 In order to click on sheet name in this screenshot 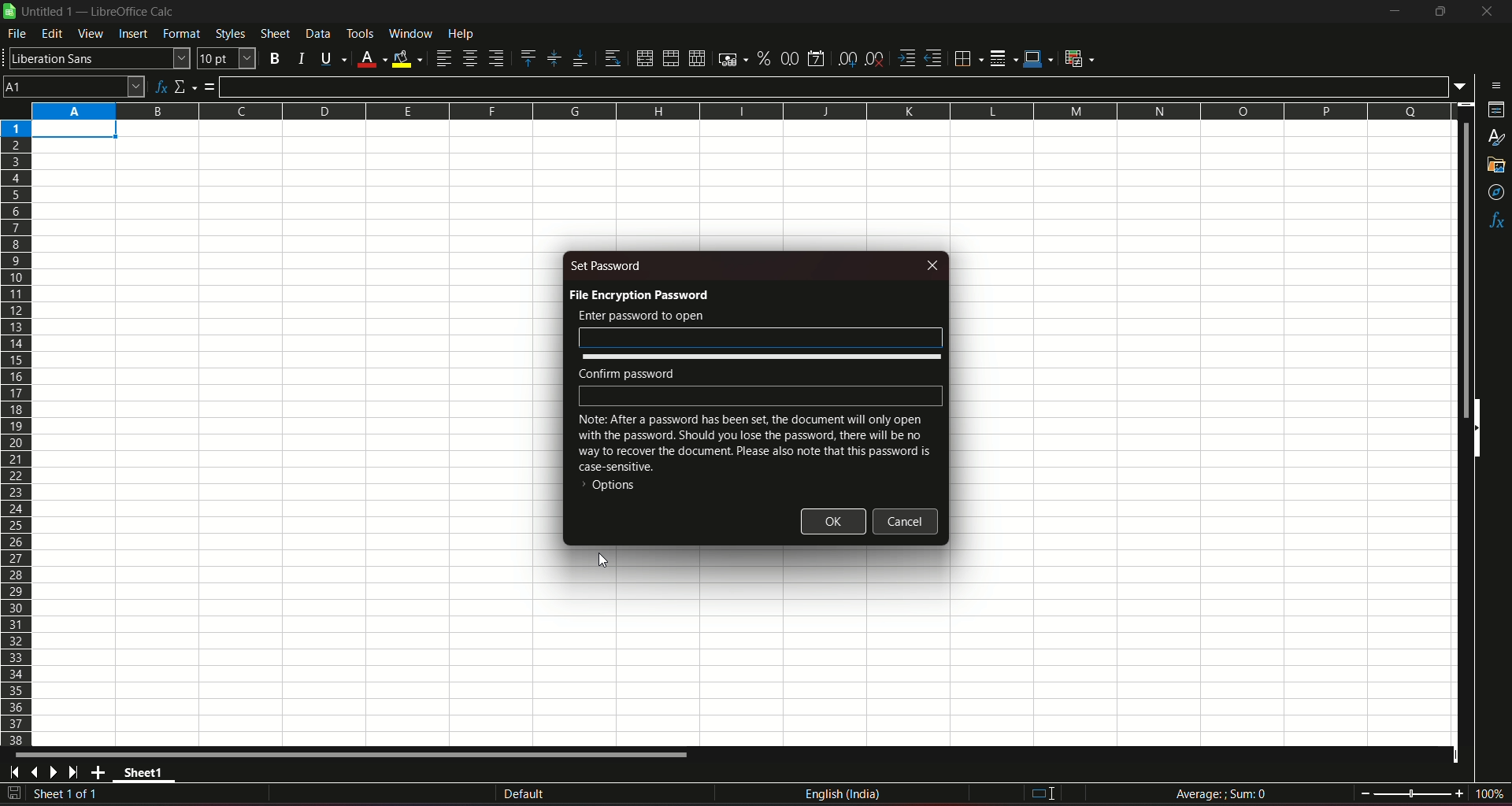, I will do `click(146, 775)`.